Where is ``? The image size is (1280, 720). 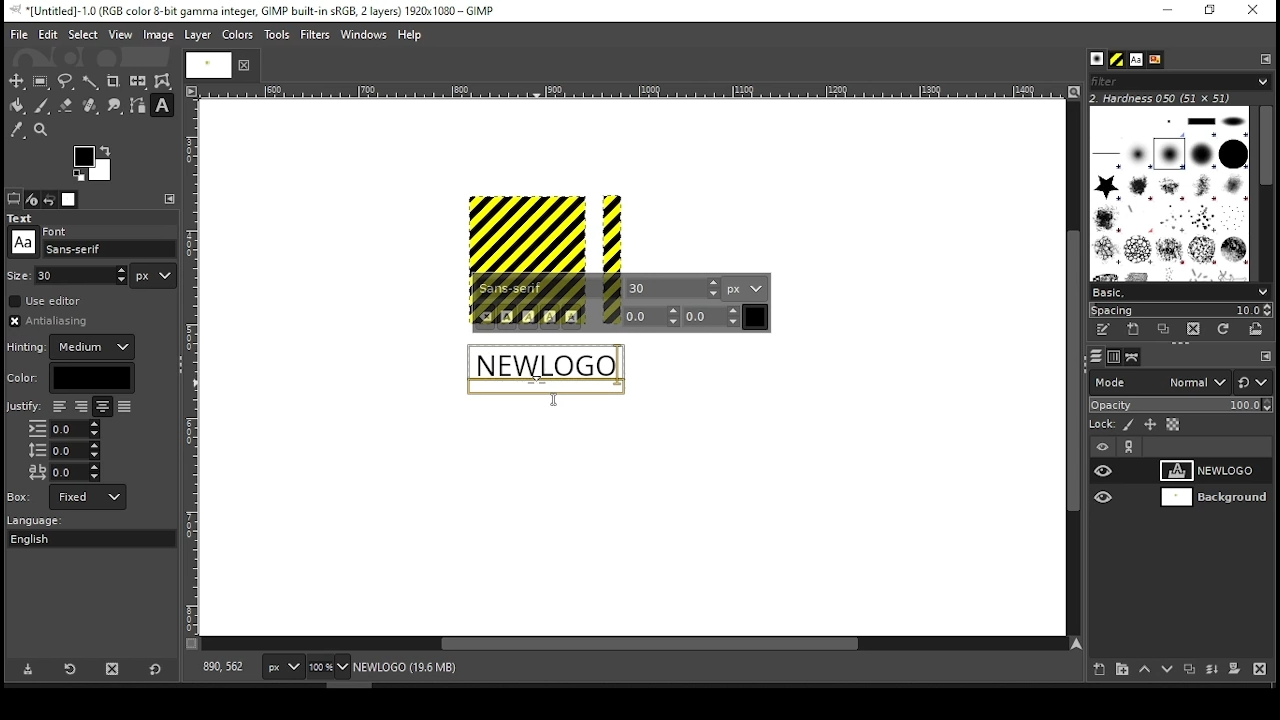  is located at coordinates (20, 496).